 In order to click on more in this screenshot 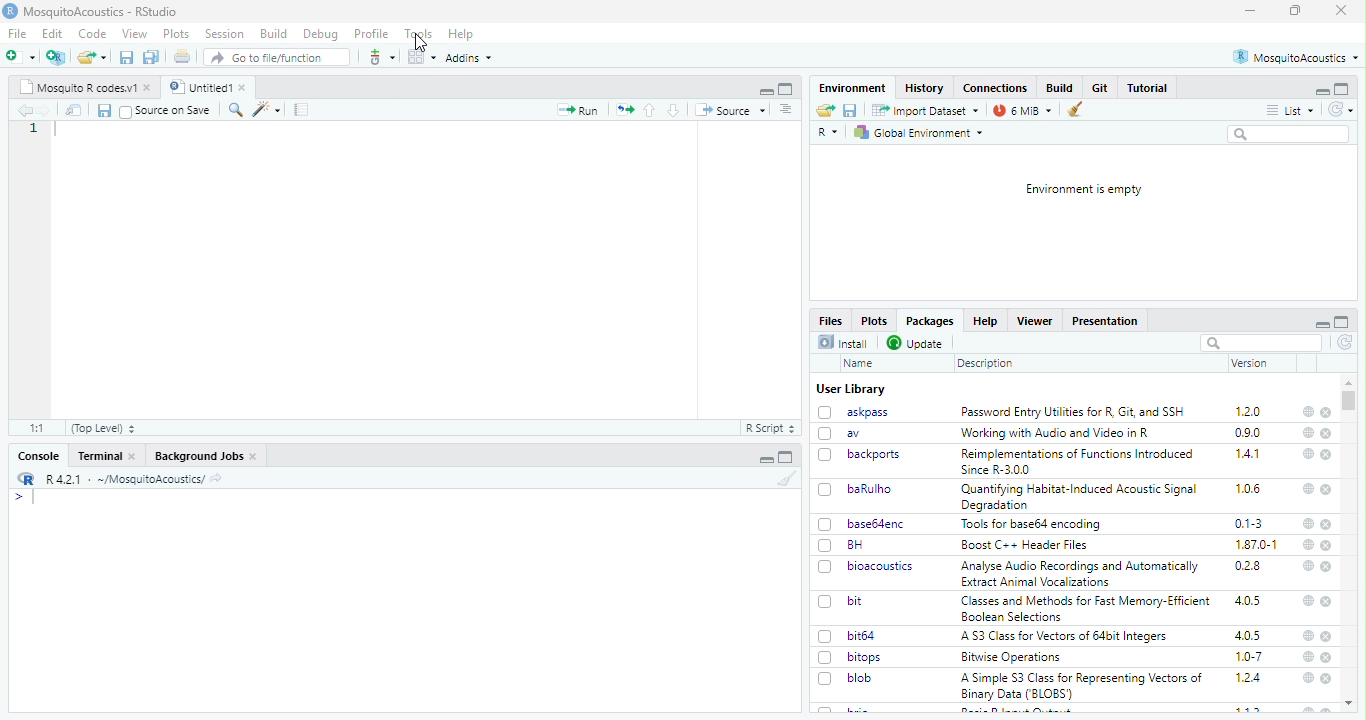, I will do `click(787, 110)`.